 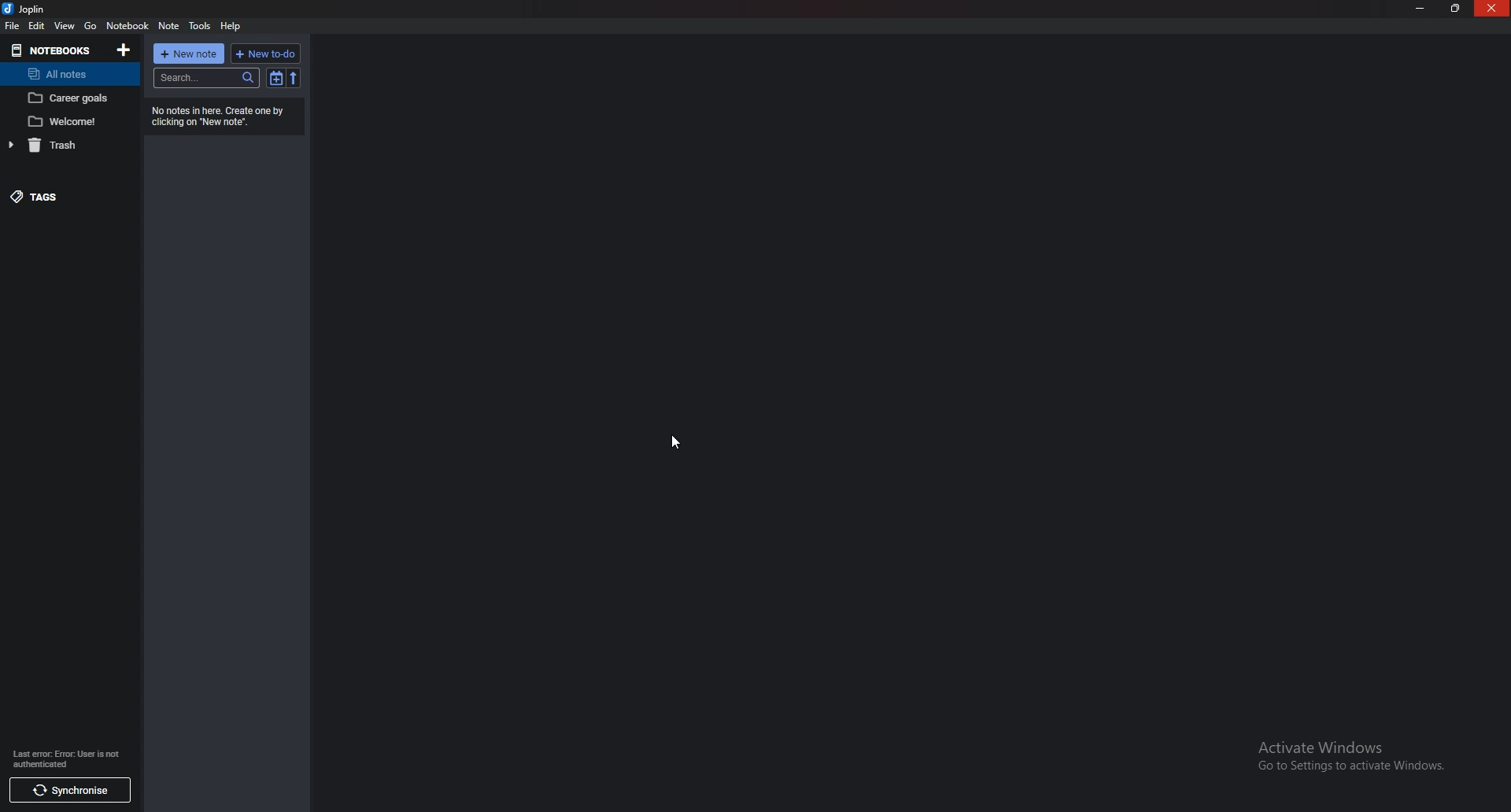 I want to click on Trash, so click(x=65, y=146).